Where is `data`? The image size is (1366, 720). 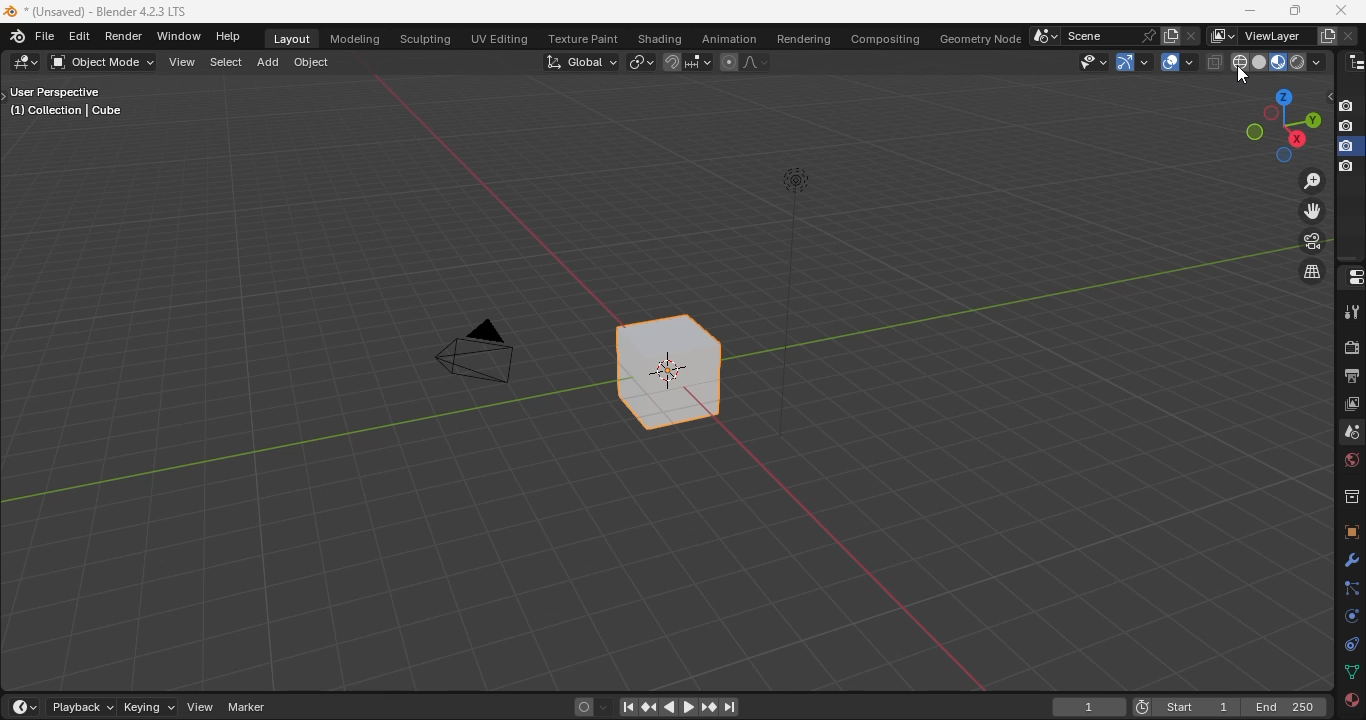
data is located at coordinates (1352, 672).